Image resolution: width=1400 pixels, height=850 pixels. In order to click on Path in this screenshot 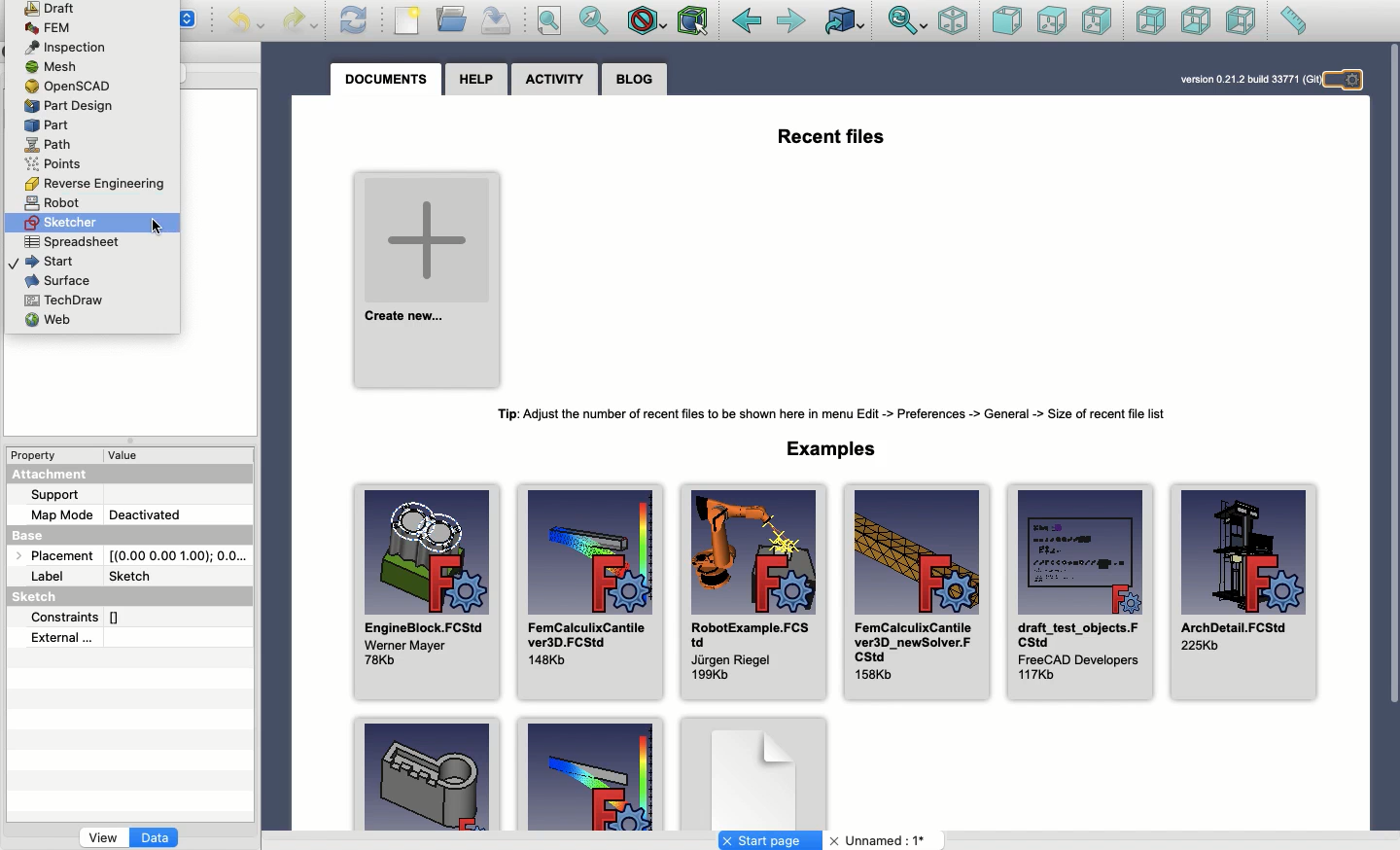, I will do `click(51, 145)`.